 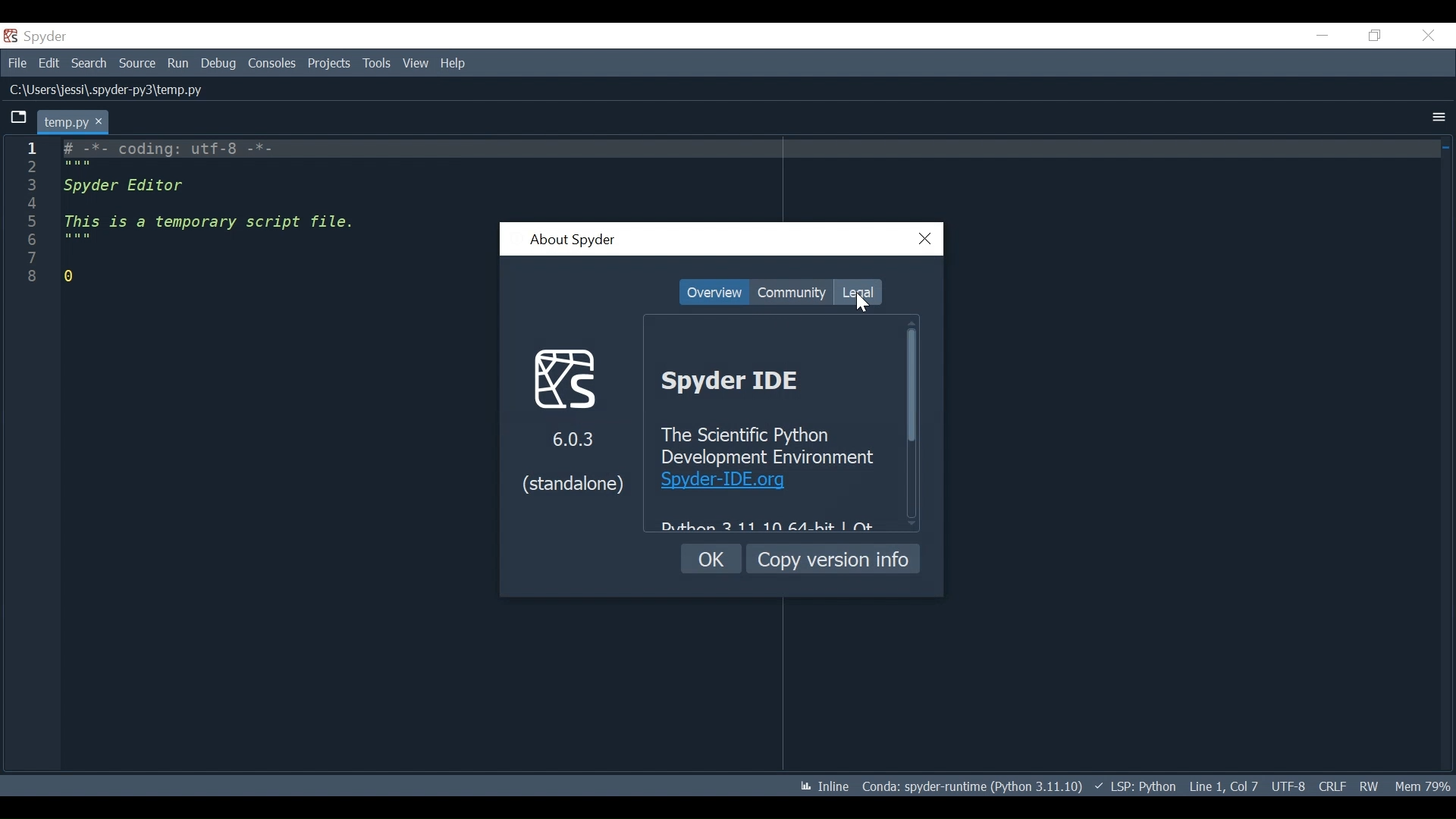 What do you see at coordinates (121, 89) in the screenshot?
I see `C:\Users\jessi\.spyder-py3\temp.py` at bounding box center [121, 89].